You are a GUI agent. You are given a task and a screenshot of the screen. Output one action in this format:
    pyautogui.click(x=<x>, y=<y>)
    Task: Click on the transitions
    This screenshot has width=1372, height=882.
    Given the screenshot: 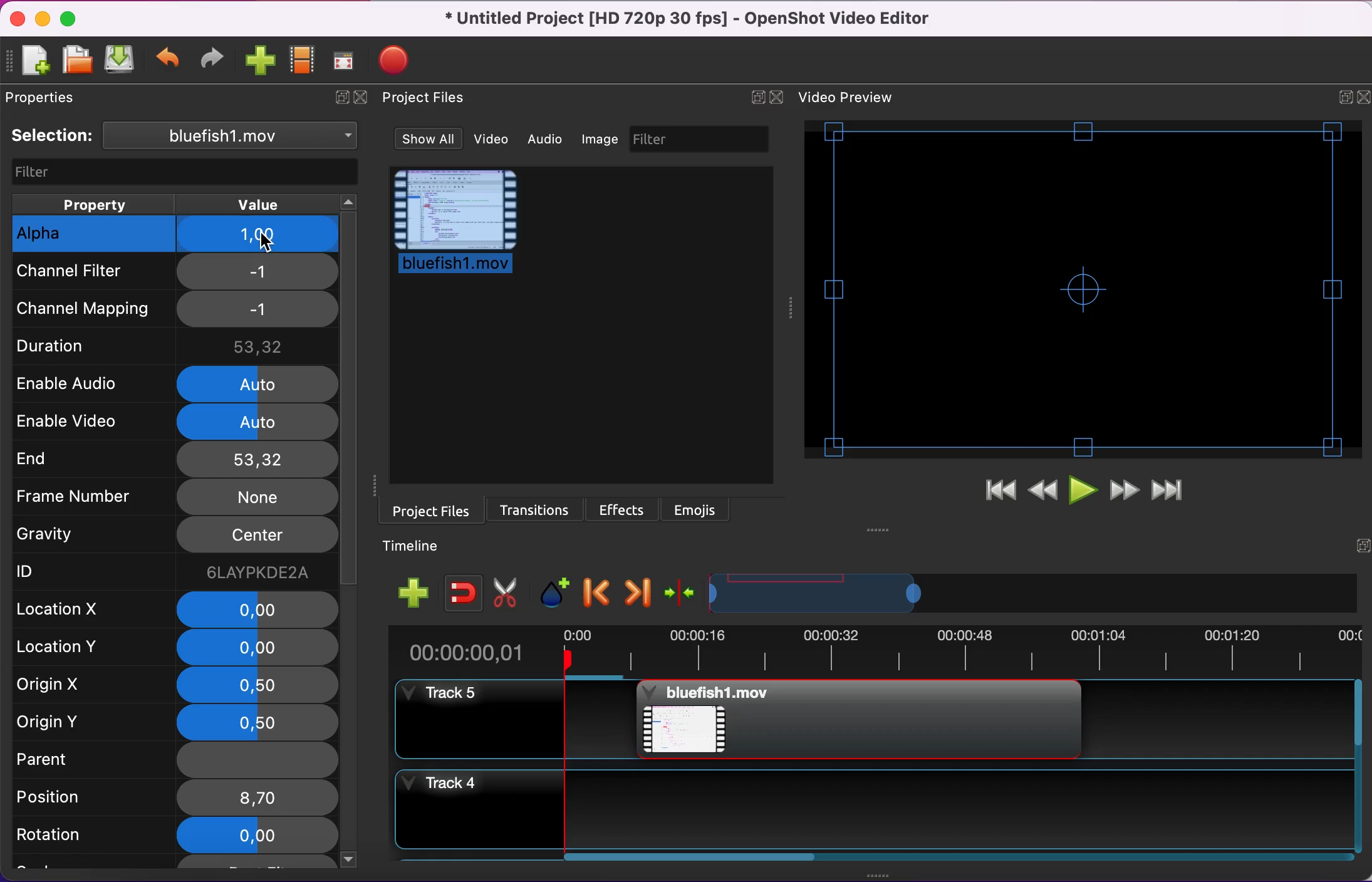 What is the action you would take?
    pyautogui.click(x=534, y=509)
    